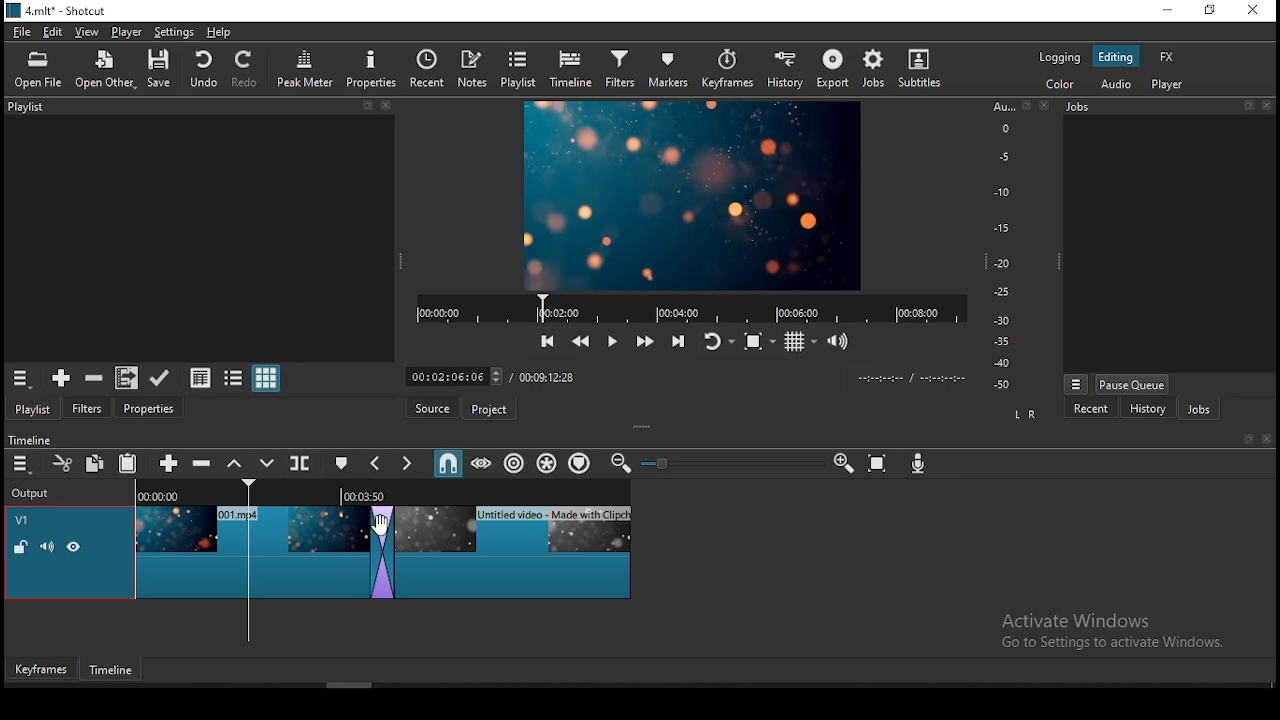  Describe the element at coordinates (56, 31) in the screenshot. I see `edit` at that location.